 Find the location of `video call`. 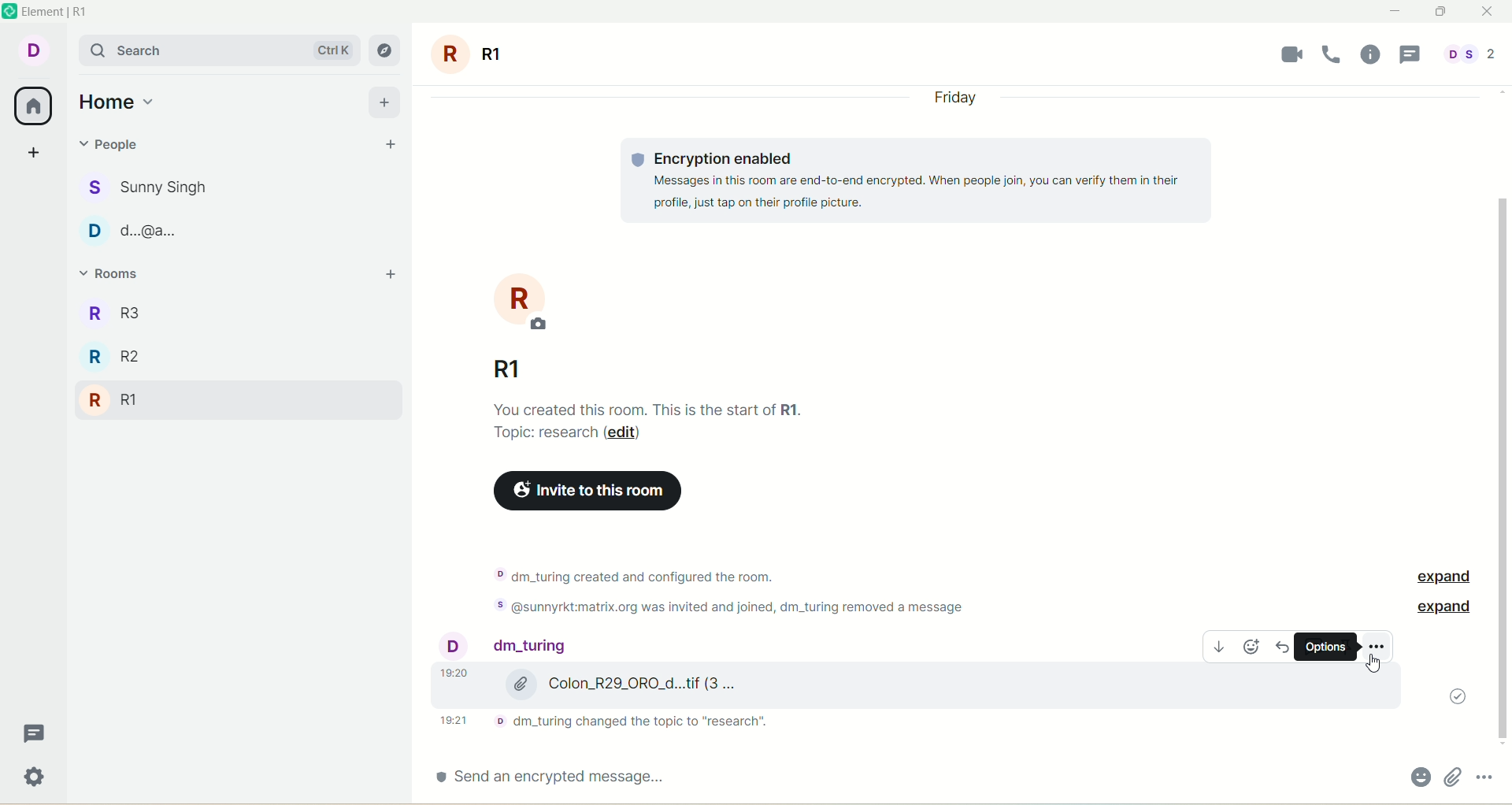

video call is located at coordinates (1287, 54).